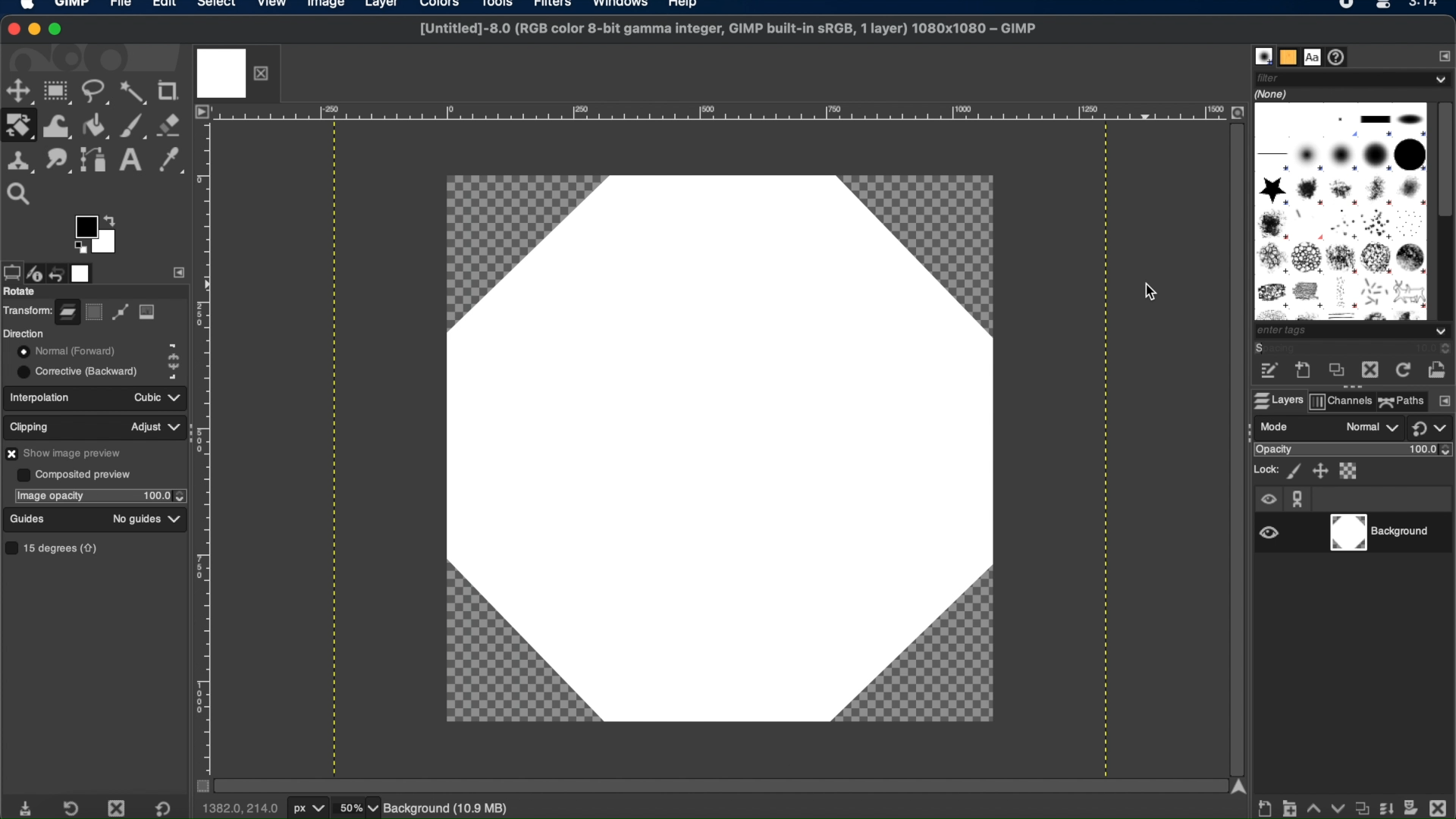 The image size is (1456, 819). I want to click on margin, so click(207, 444).